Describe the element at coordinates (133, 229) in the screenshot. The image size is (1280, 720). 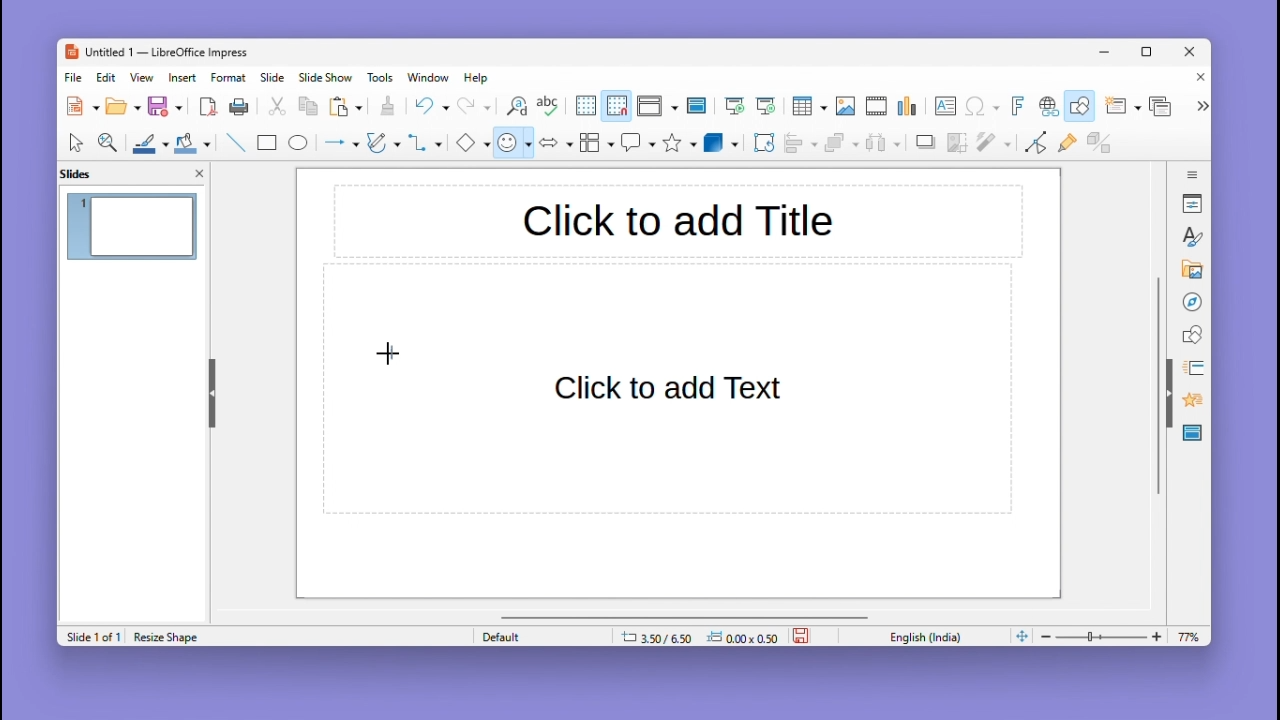
I see `current slide` at that location.